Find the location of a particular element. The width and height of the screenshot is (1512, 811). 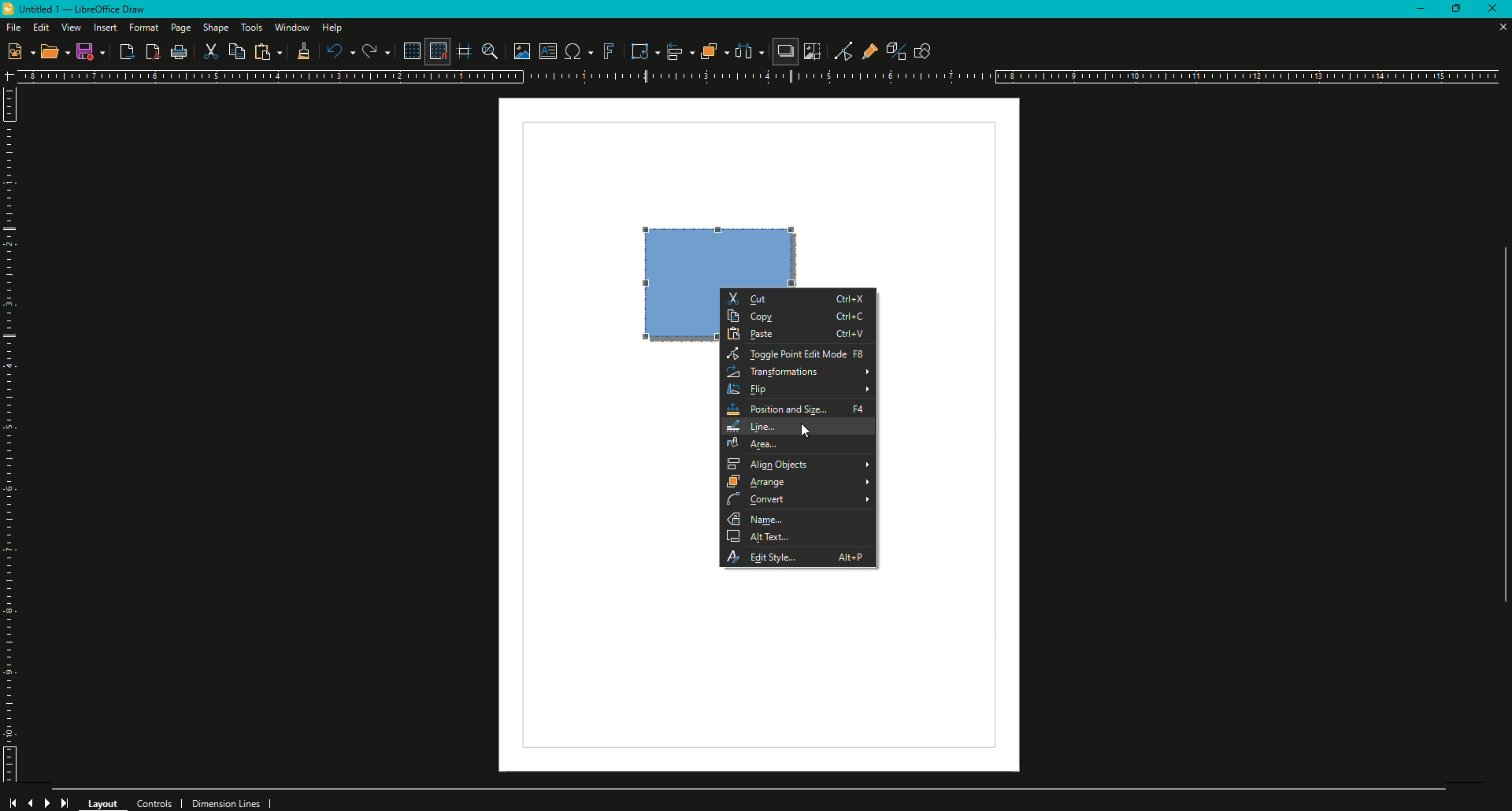

Paste is located at coordinates (268, 52).